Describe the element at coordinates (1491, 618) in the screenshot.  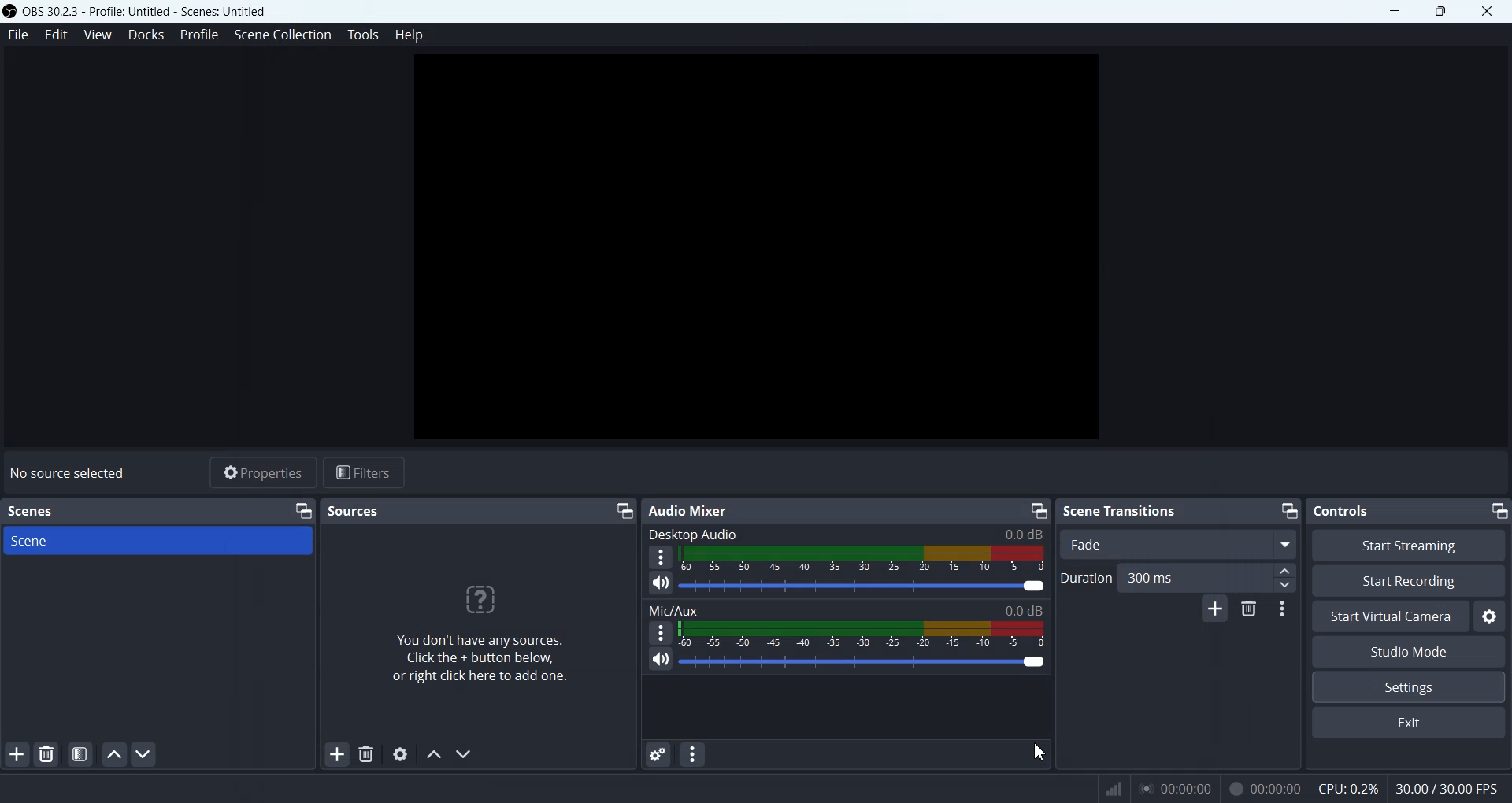
I see `Settings` at that location.